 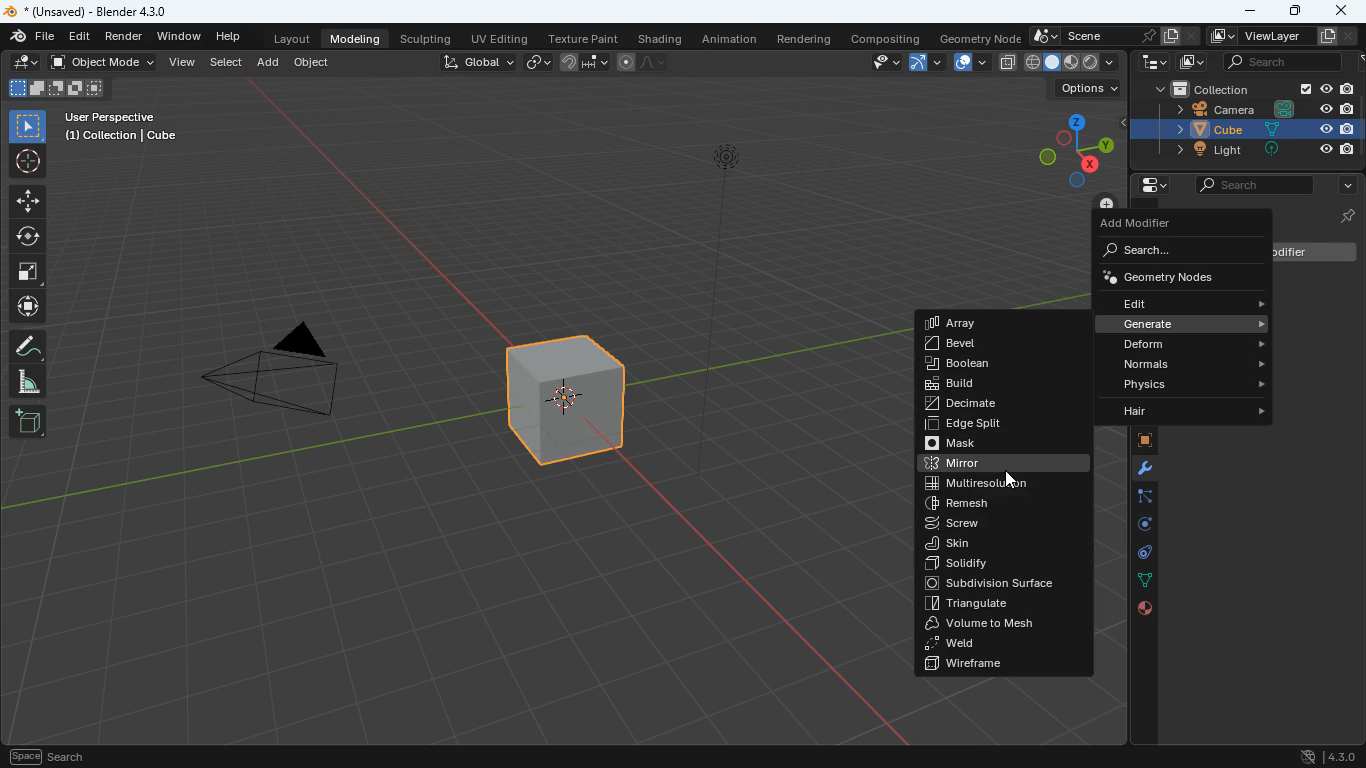 What do you see at coordinates (995, 502) in the screenshot?
I see `remesh` at bounding box center [995, 502].